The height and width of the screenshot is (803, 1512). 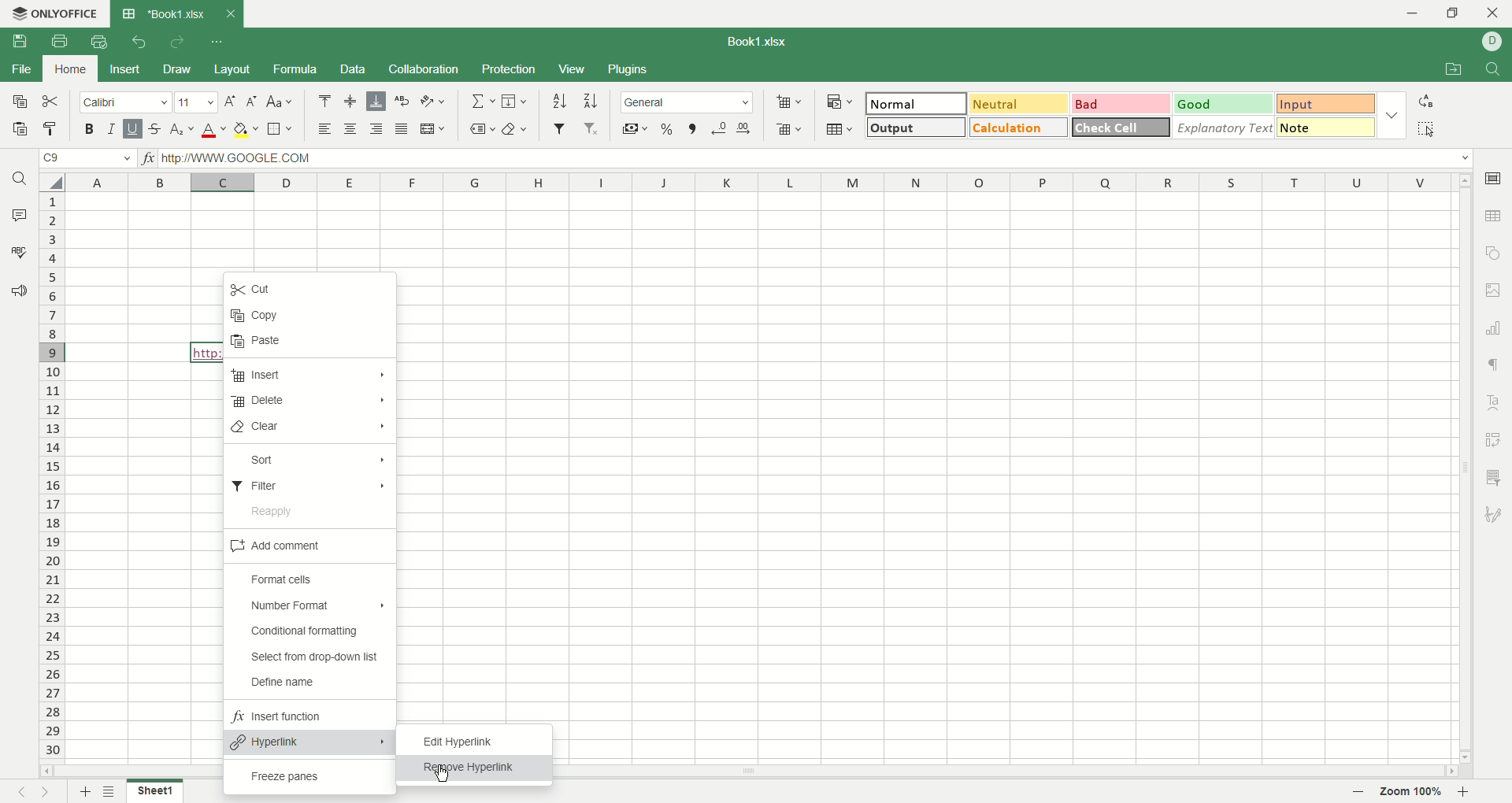 What do you see at coordinates (91, 160) in the screenshot?
I see `cell position` at bounding box center [91, 160].